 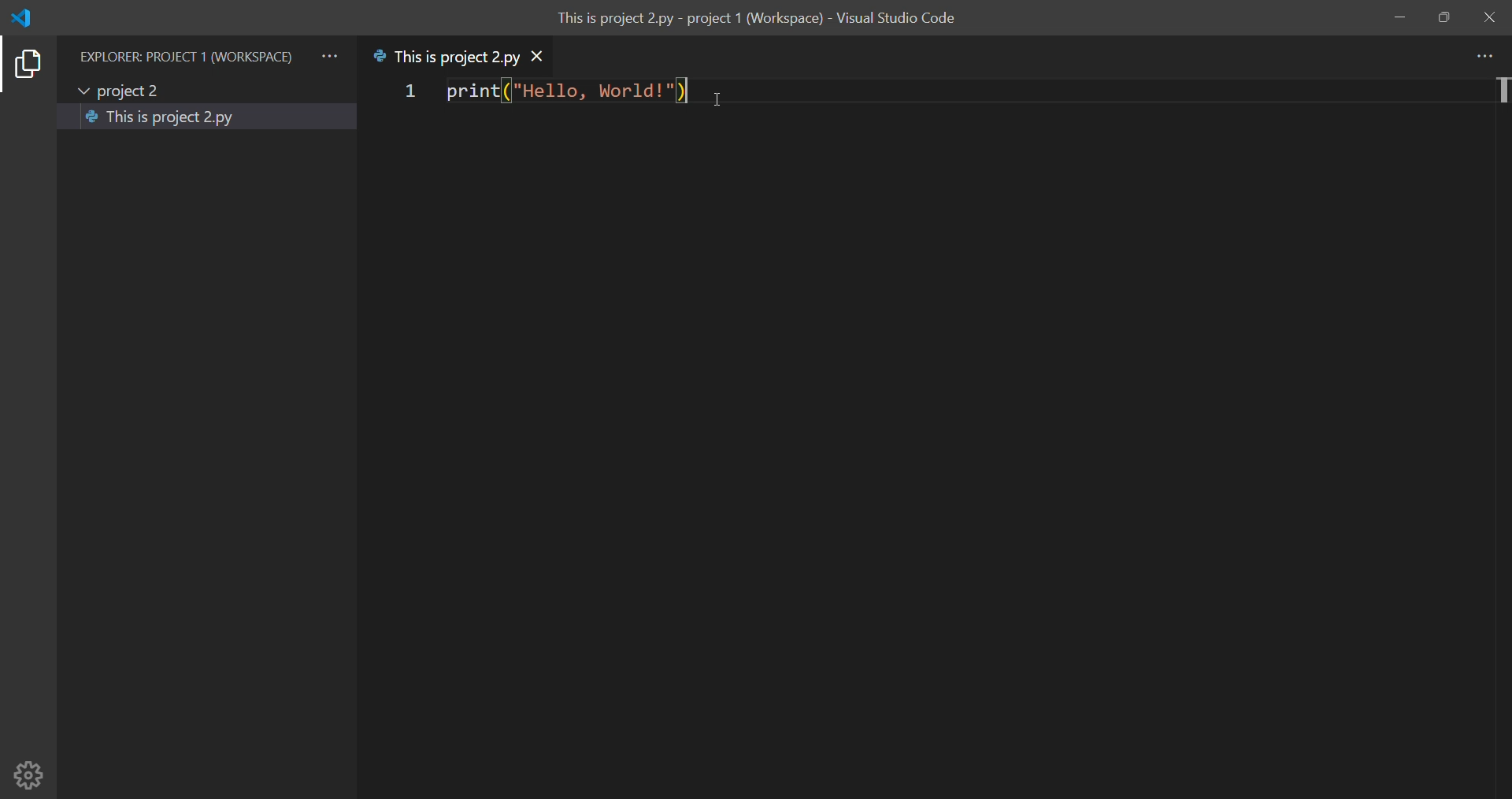 I want to click on project 2, so click(x=124, y=88).